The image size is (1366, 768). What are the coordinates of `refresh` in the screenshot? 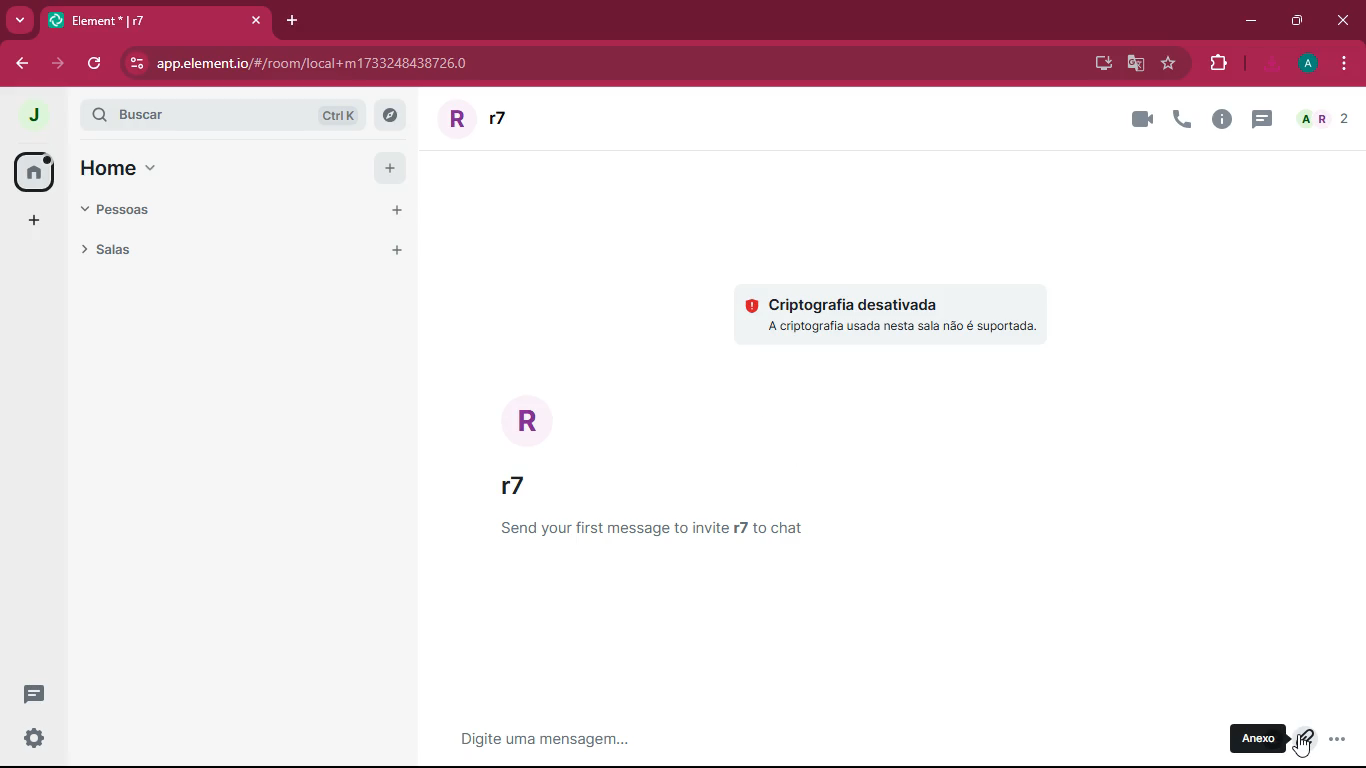 It's located at (93, 63).